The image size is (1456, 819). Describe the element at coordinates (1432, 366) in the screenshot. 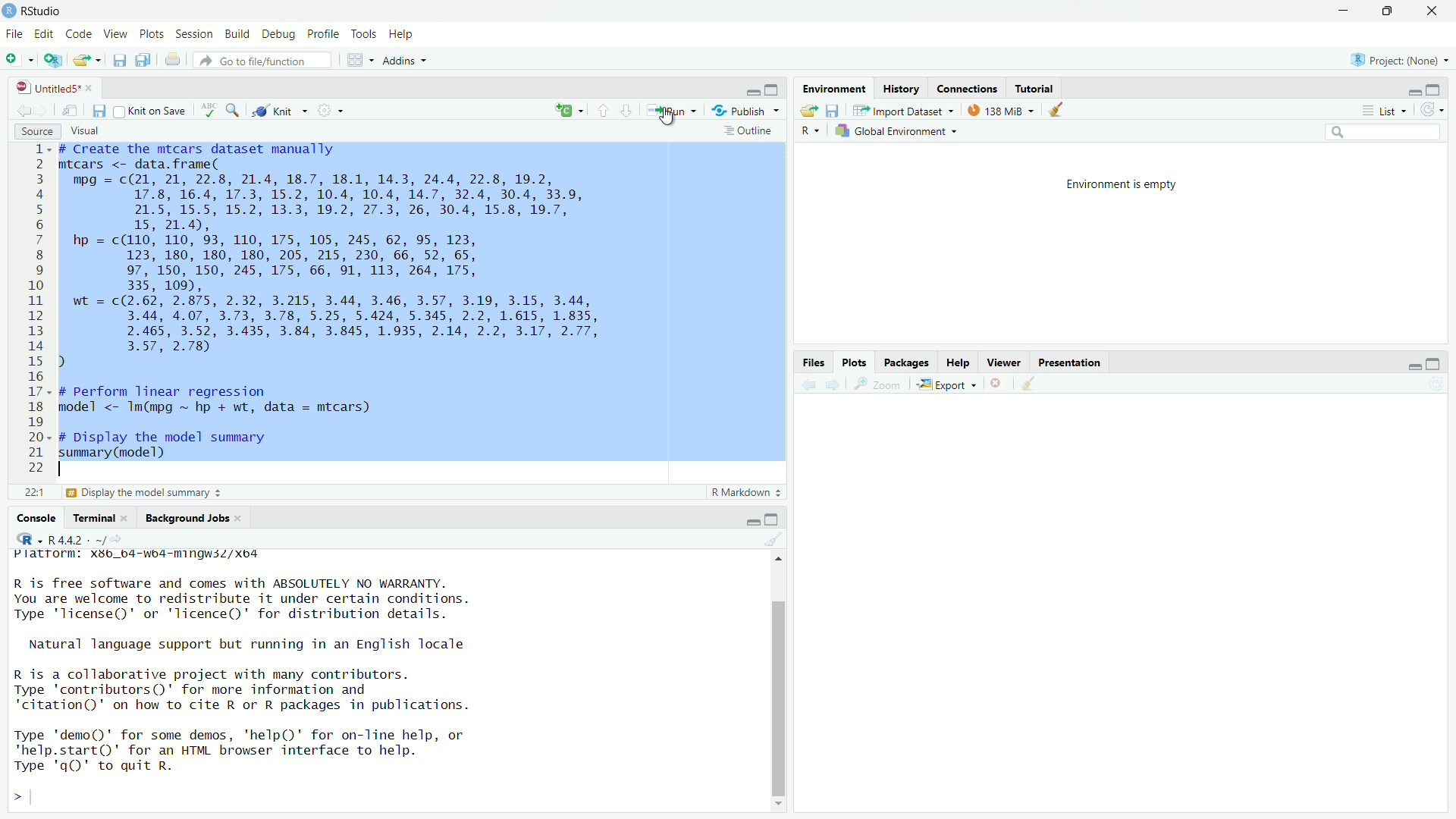

I see `maximize` at that location.